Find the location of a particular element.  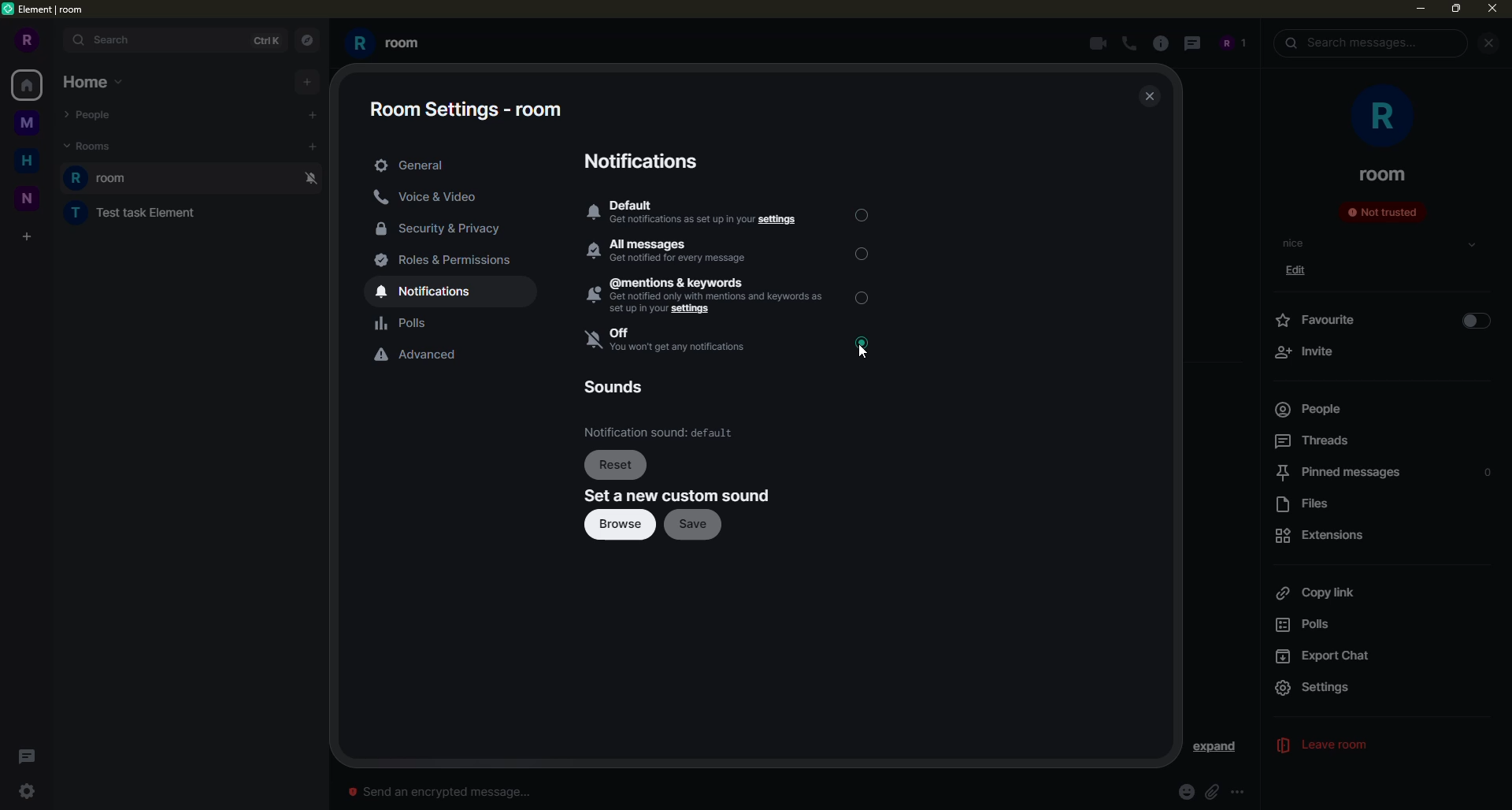

not trusted is located at coordinates (1381, 211).